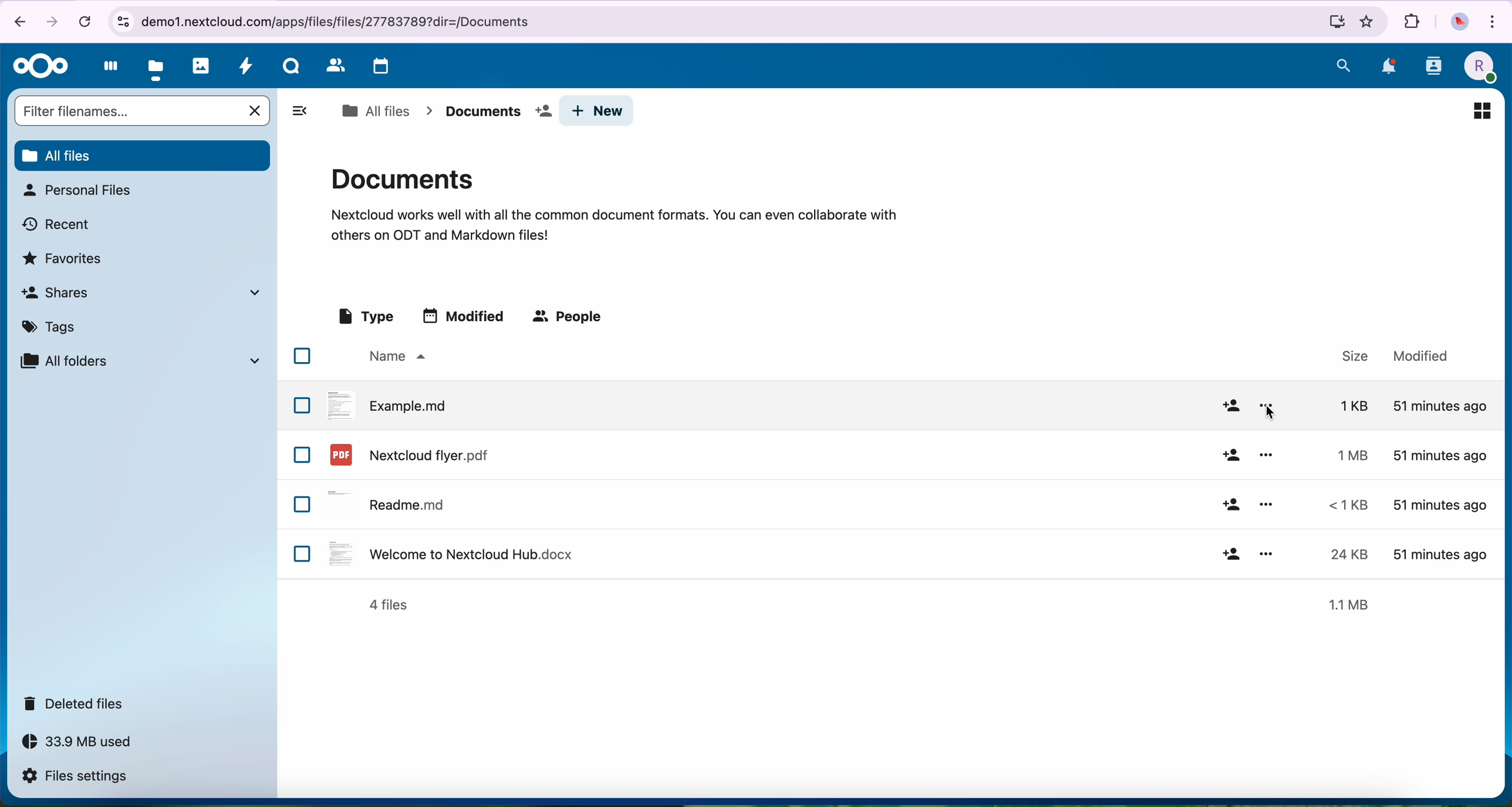 The width and height of the screenshot is (1512, 807). What do you see at coordinates (1344, 65) in the screenshot?
I see `search` at bounding box center [1344, 65].